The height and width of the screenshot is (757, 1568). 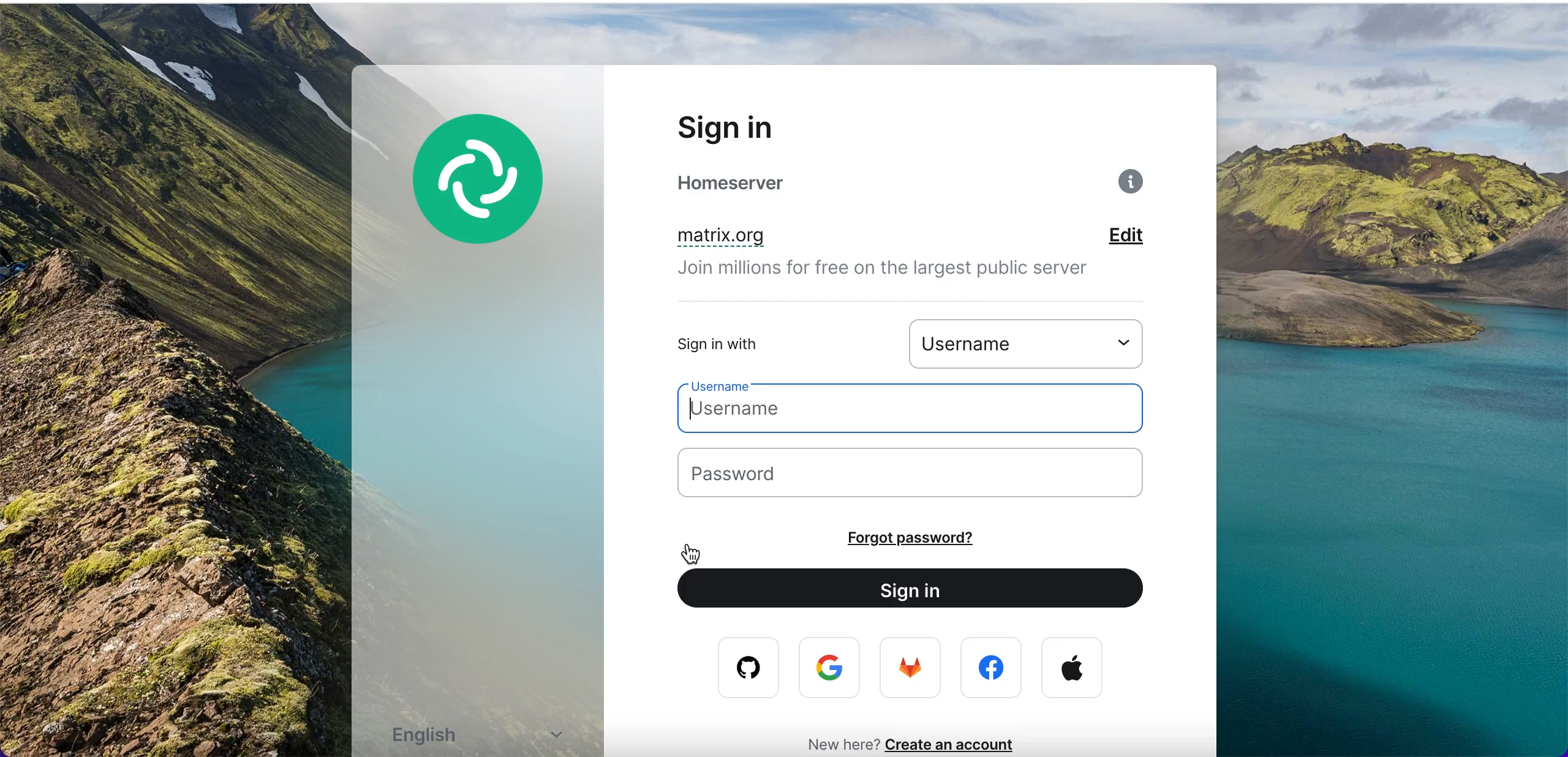 What do you see at coordinates (912, 671) in the screenshot?
I see `firefox logo` at bounding box center [912, 671].